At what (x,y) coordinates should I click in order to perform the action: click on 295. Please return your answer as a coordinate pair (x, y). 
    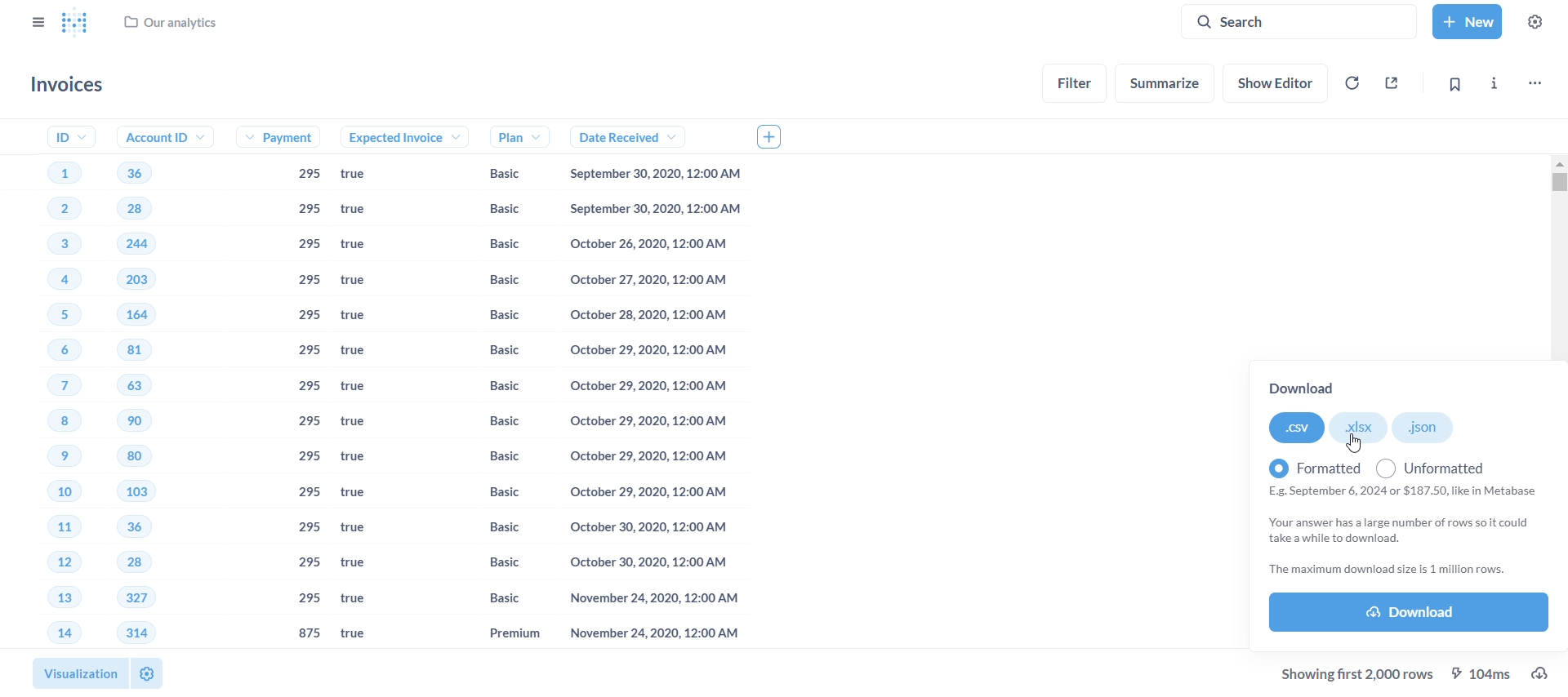
    Looking at the image, I should click on (305, 352).